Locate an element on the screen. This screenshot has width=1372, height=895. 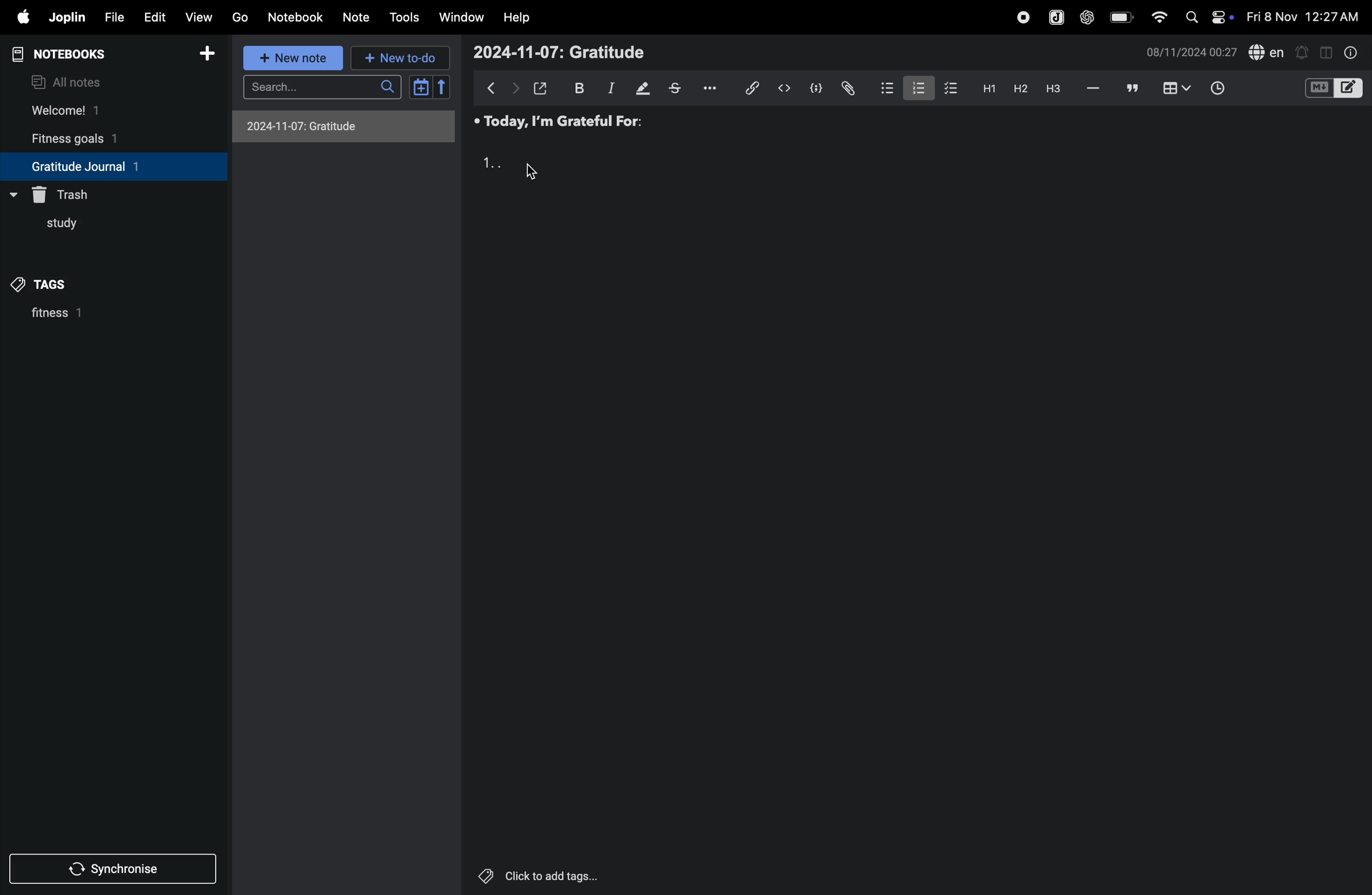
strike through is located at coordinates (680, 89).